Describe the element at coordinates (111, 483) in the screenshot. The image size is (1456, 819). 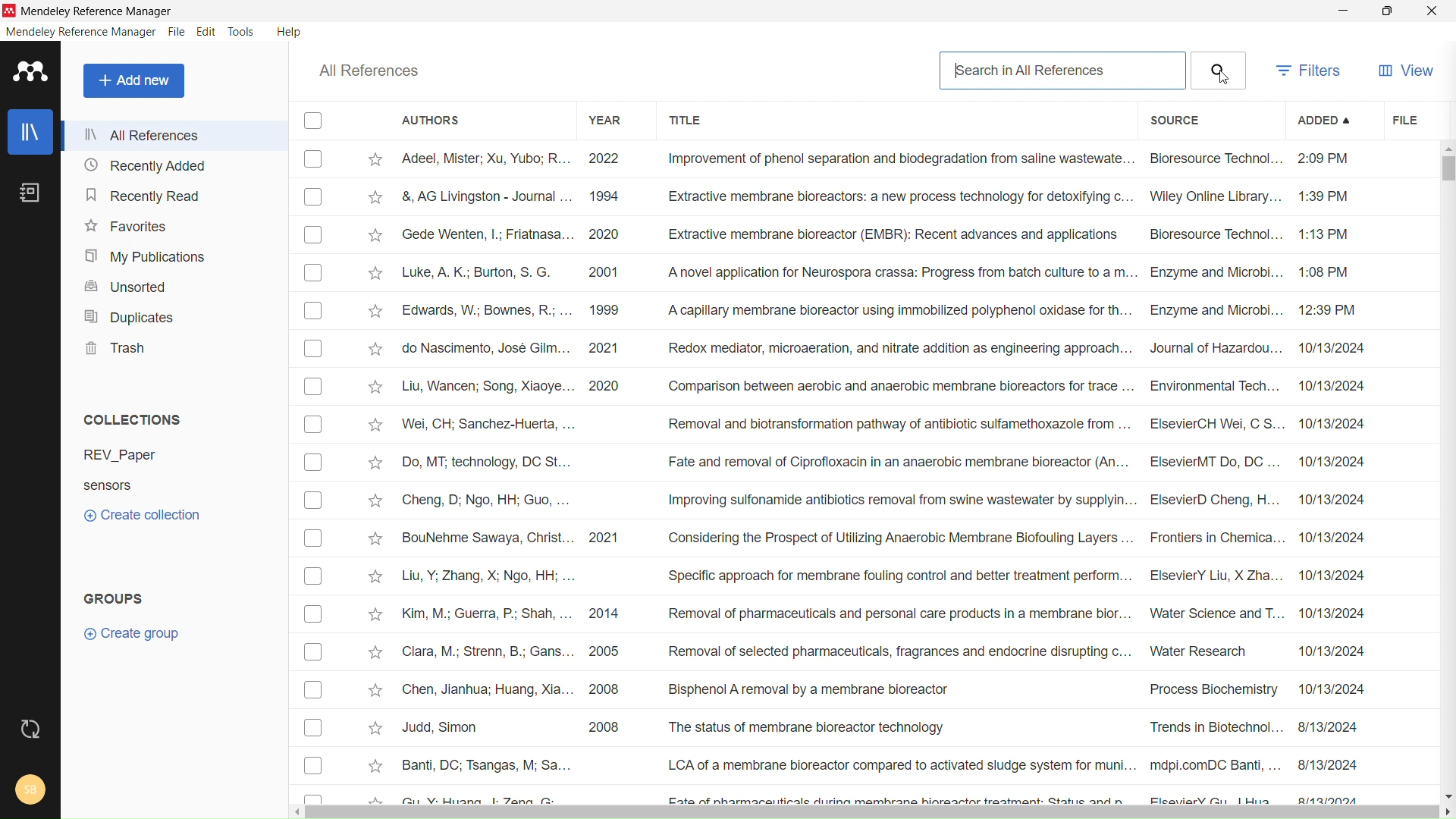
I see `Sensors` at that location.